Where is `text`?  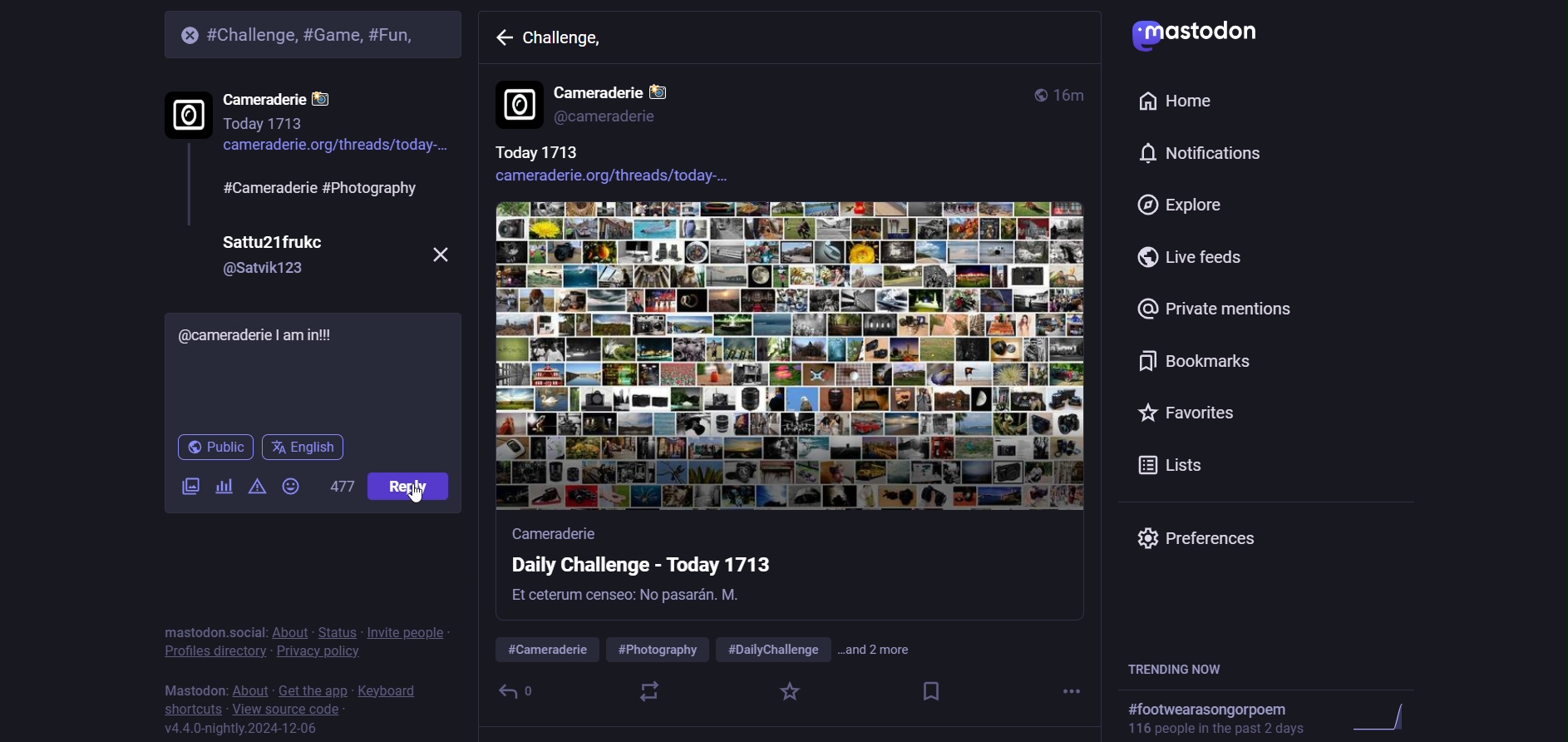 text is located at coordinates (1270, 720).